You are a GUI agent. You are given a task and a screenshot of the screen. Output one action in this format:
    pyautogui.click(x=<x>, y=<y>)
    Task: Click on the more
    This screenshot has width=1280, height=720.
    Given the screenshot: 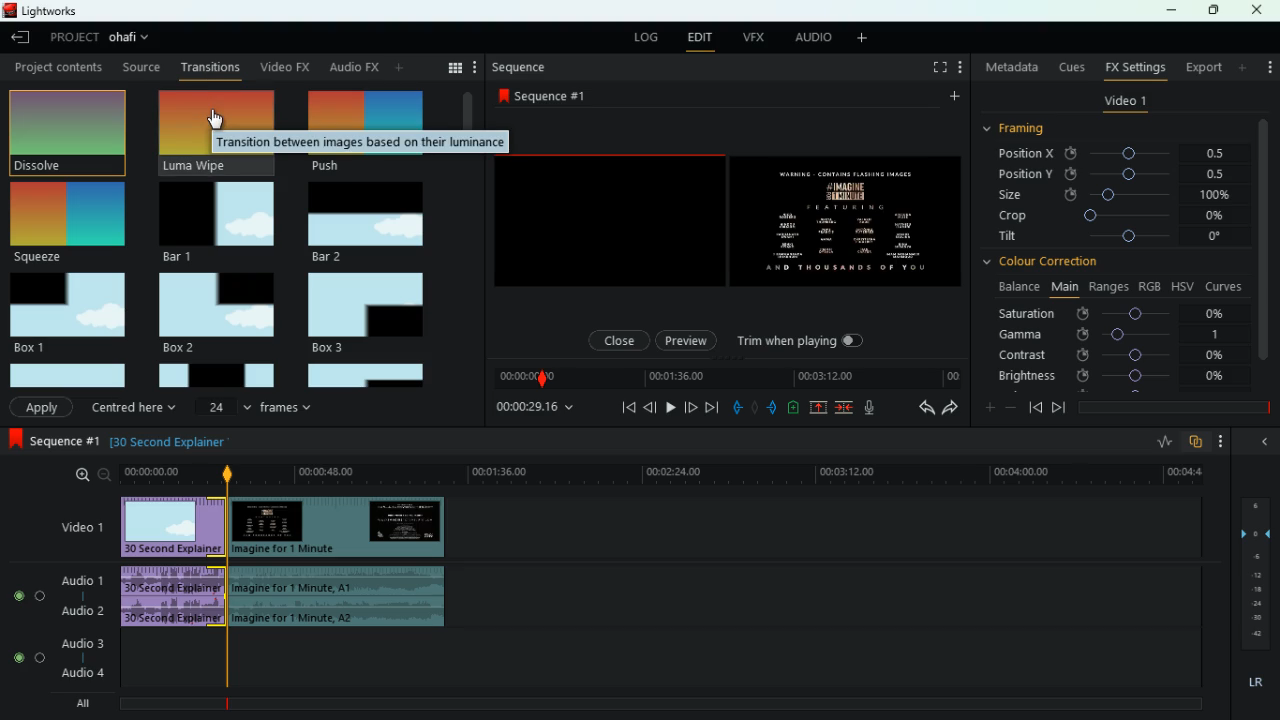 What is the action you would take?
    pyautogui.click(x=1226, y=441)
    